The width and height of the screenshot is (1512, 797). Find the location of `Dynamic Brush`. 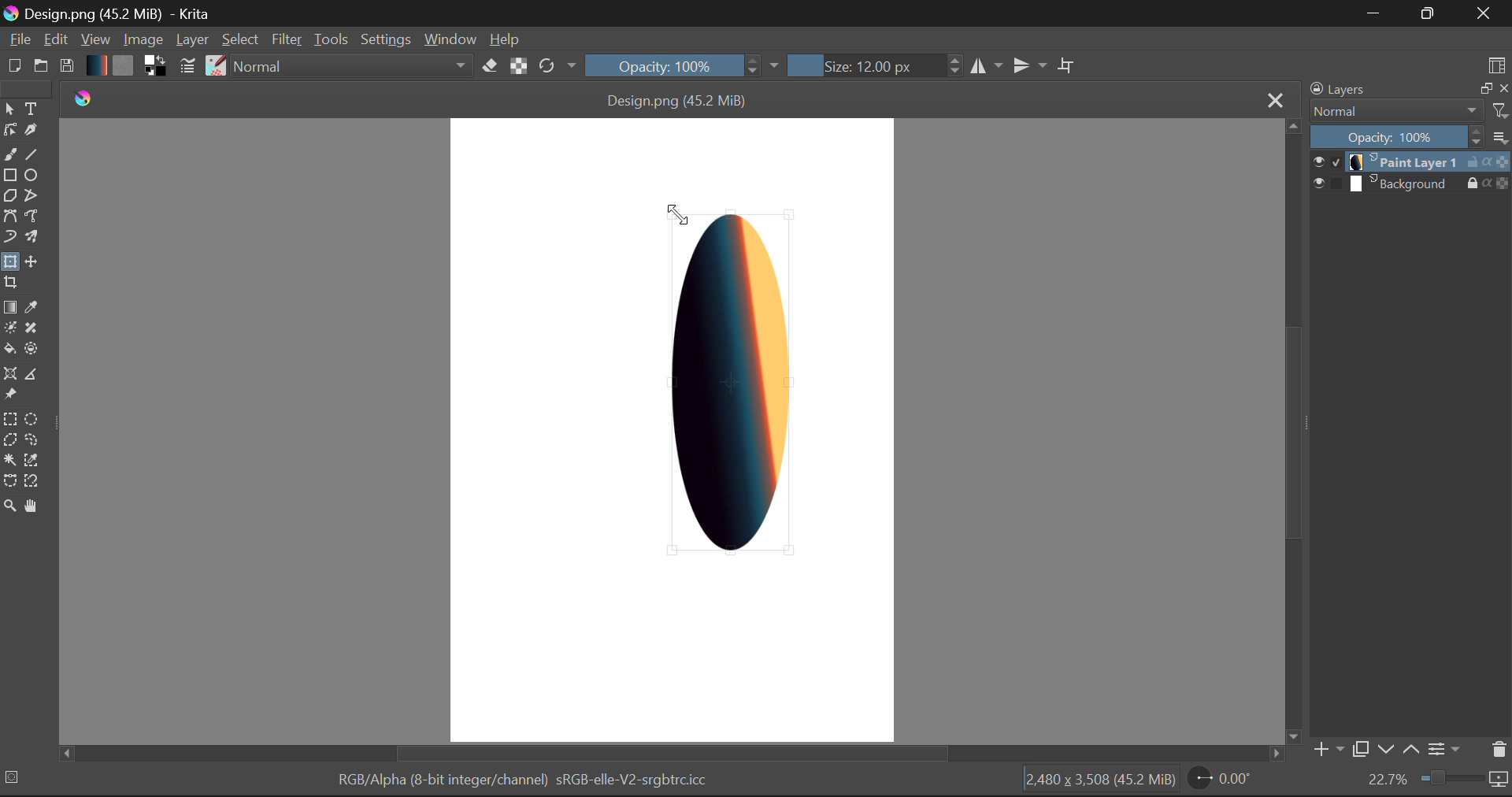

Dynamic Brush is located at coordinates (9, 238).